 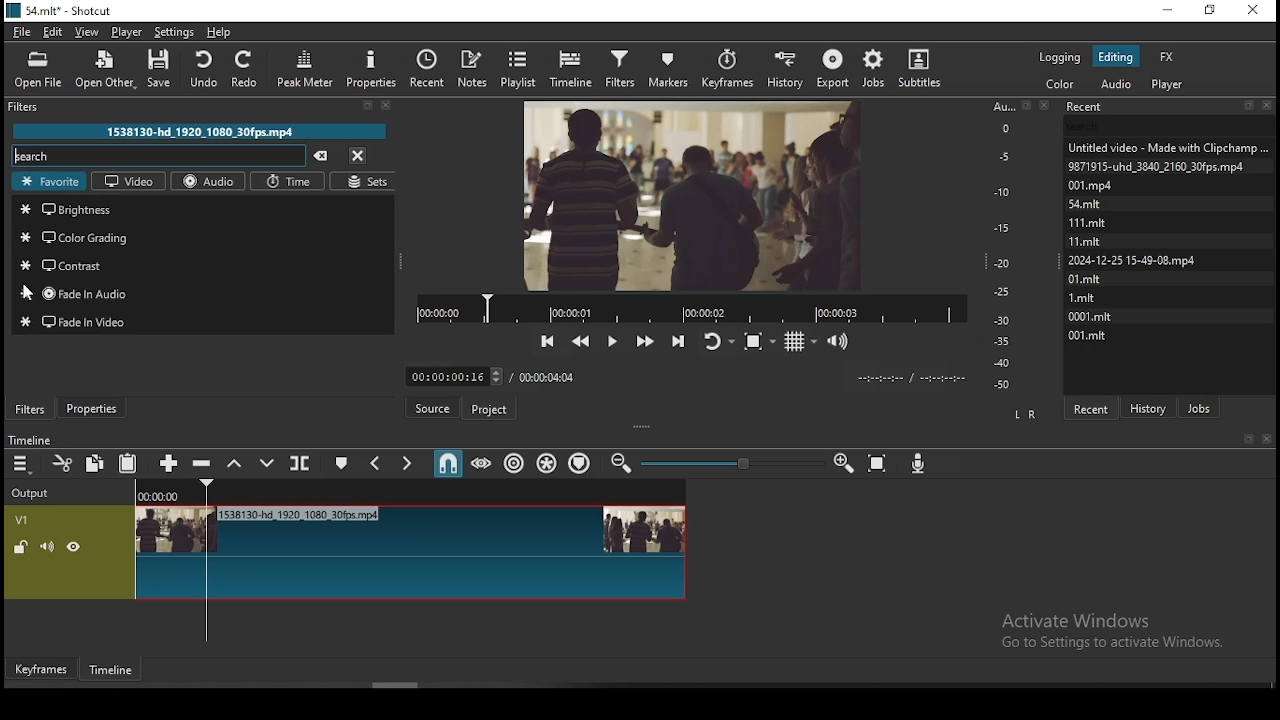 I want to click on zoom timeline out, so click(x=843, y=464).